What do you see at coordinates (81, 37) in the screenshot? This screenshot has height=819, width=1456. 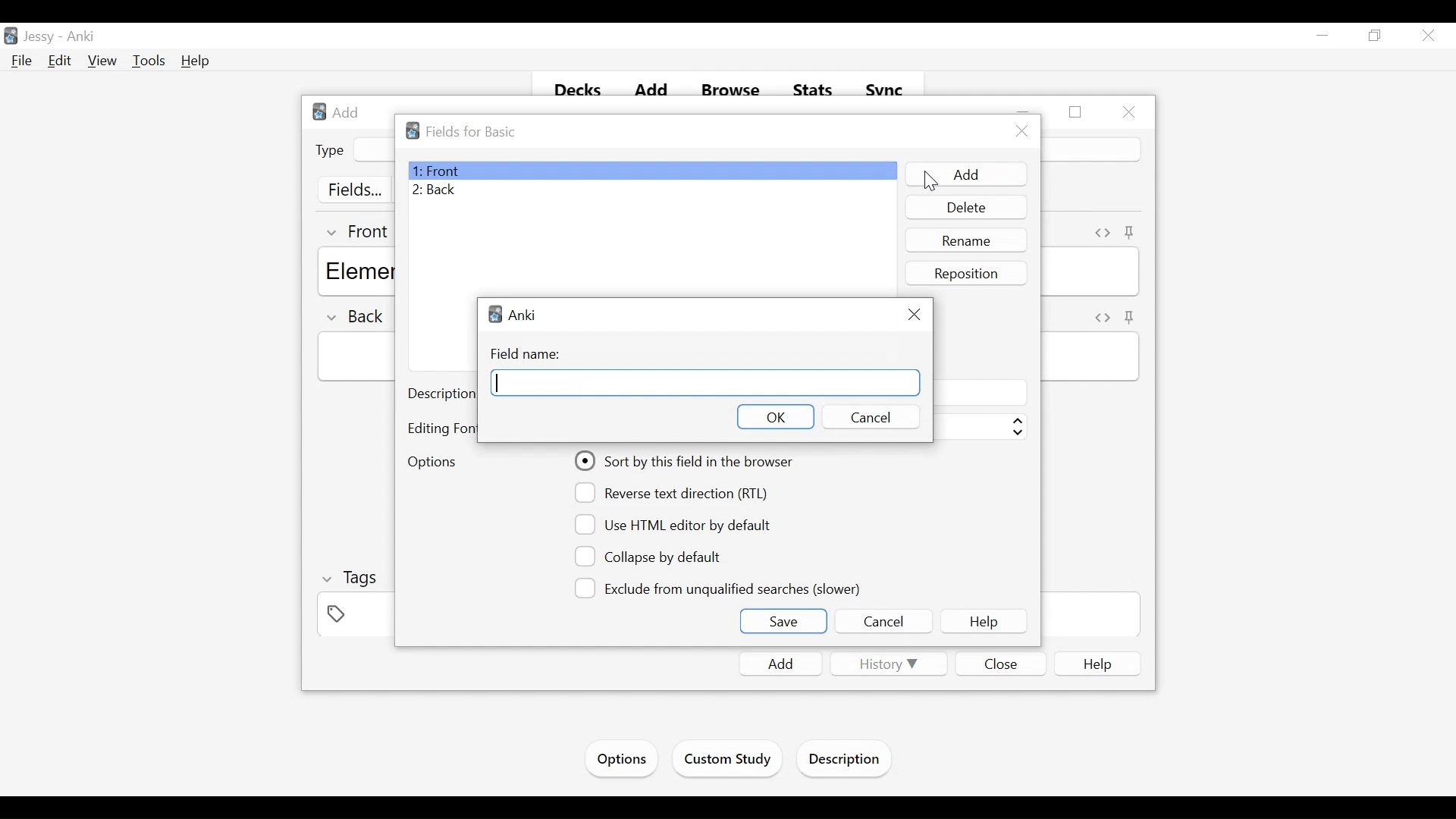 I see `Anki` at bounding box center [81, 37].